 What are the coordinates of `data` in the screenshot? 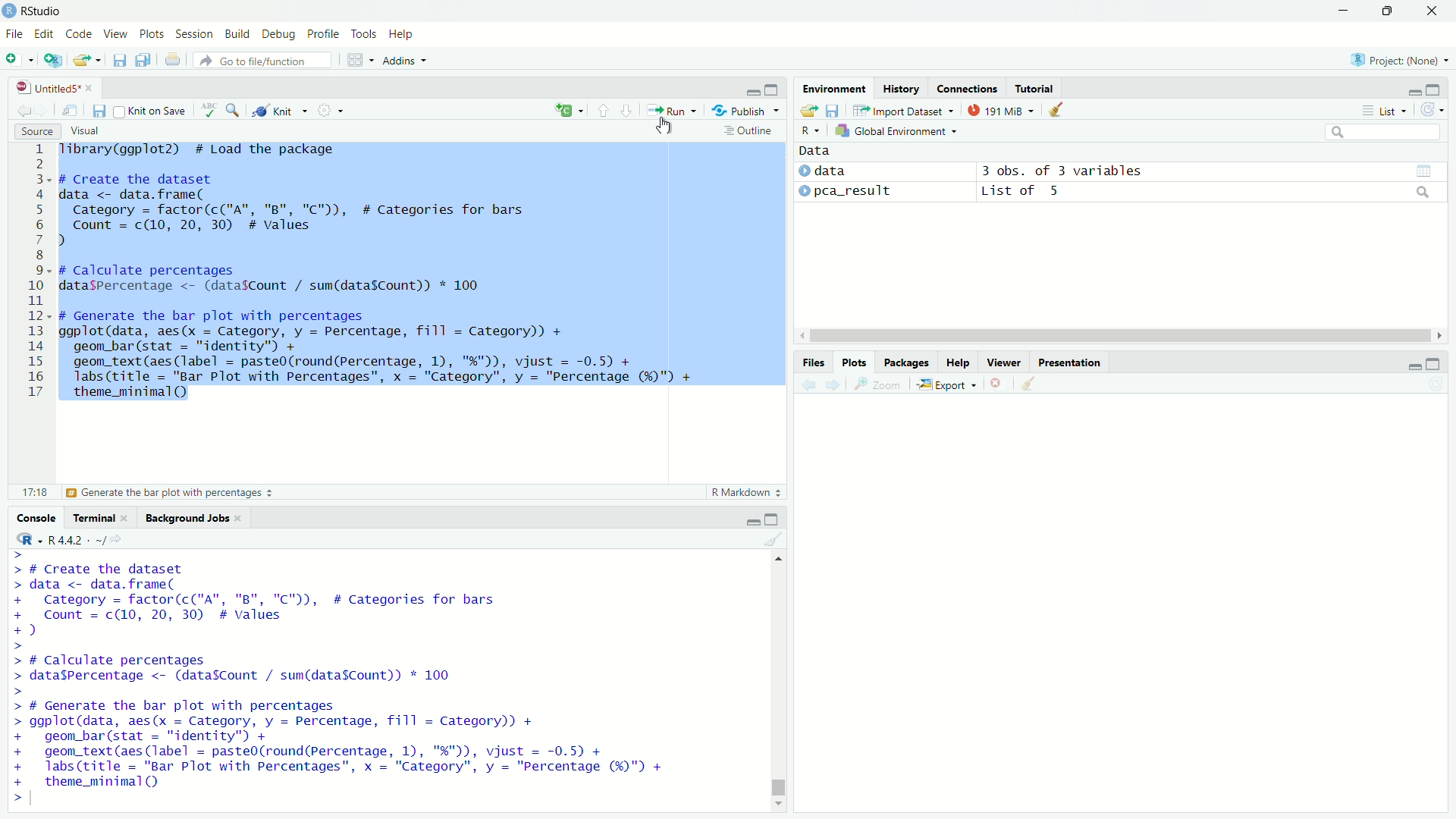 It's located at (816, 150).